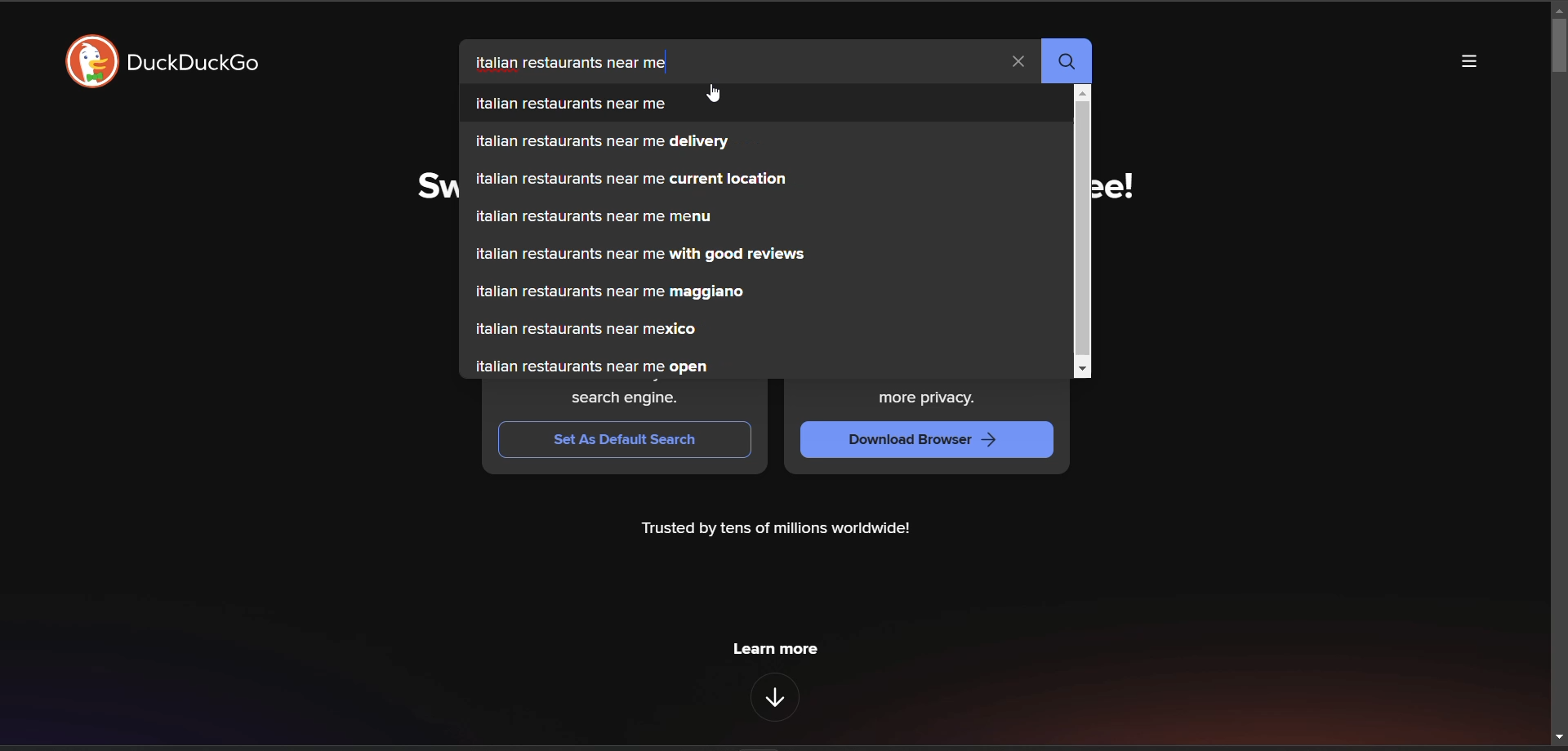  What do you see at coordinates (1083, 232) in the screenshot?
I see `vertical search bar` at bounding box center [1083, 232].